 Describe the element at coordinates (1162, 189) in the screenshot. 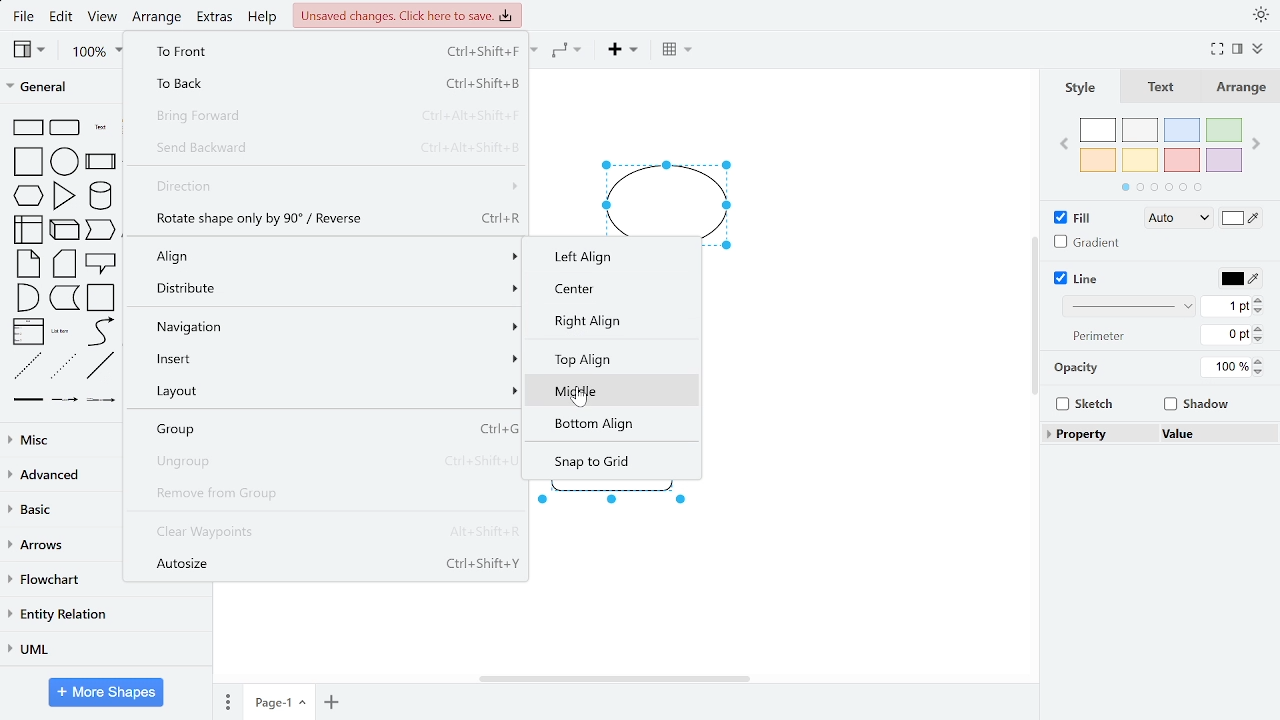

I see `pages in colors` at that location.